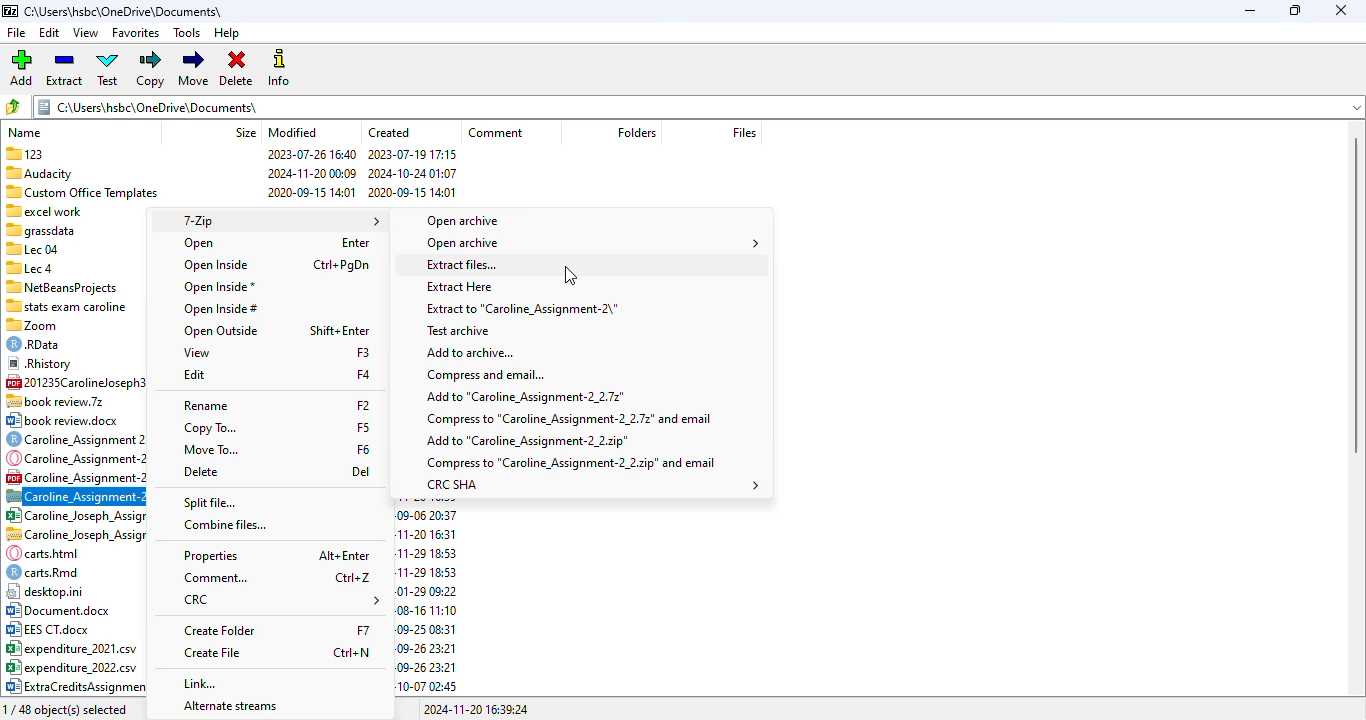 This screenshot has height=720, width=1366. Describe the element at coordinates (73, 304) in the screenshot. I see `| Bl stats exam caroline 2022-11-03 02:13 2022-11-03 02:12` at that location.